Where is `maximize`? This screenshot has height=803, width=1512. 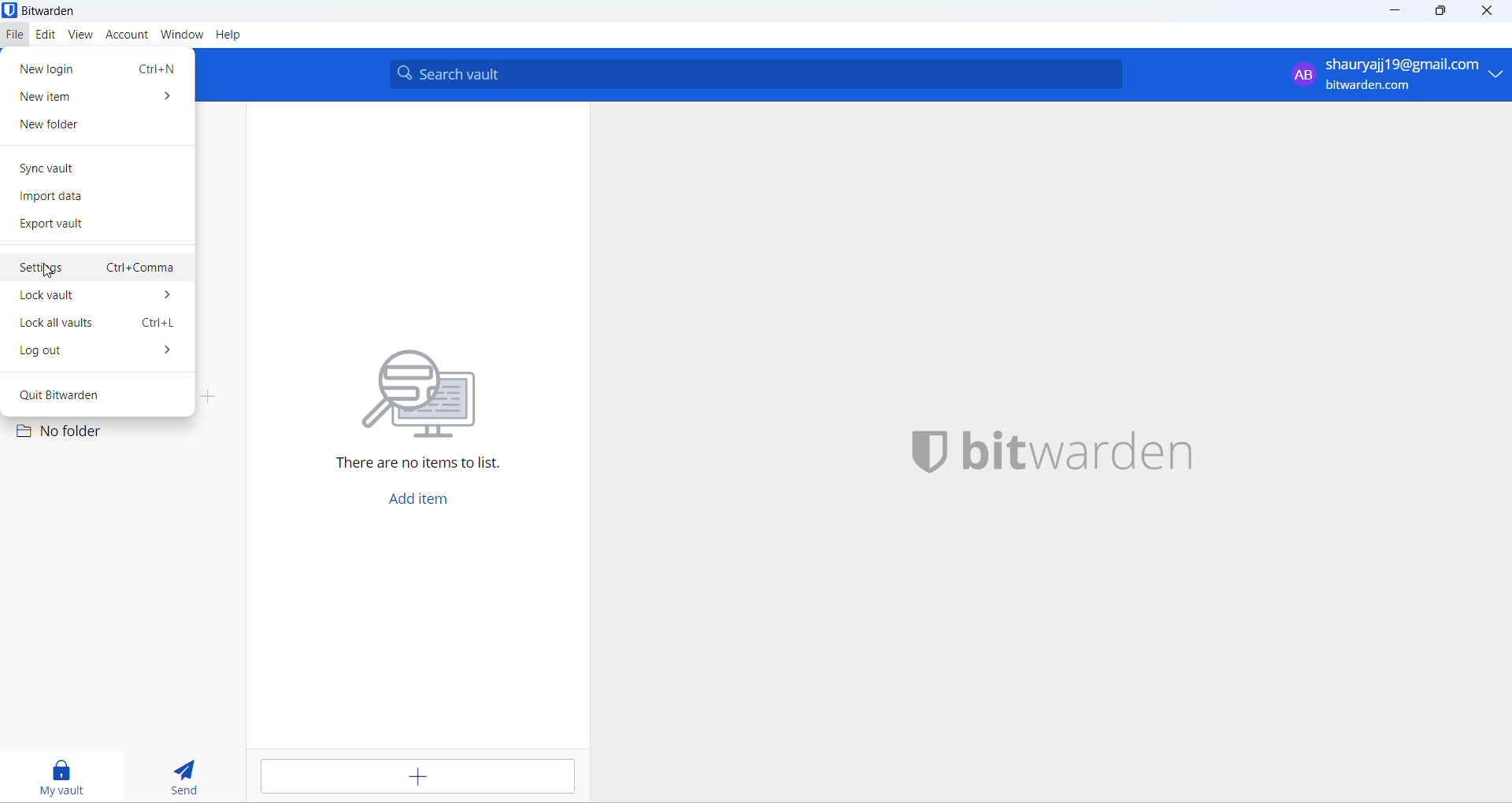
maximize is located at coordinates (1440, 13).